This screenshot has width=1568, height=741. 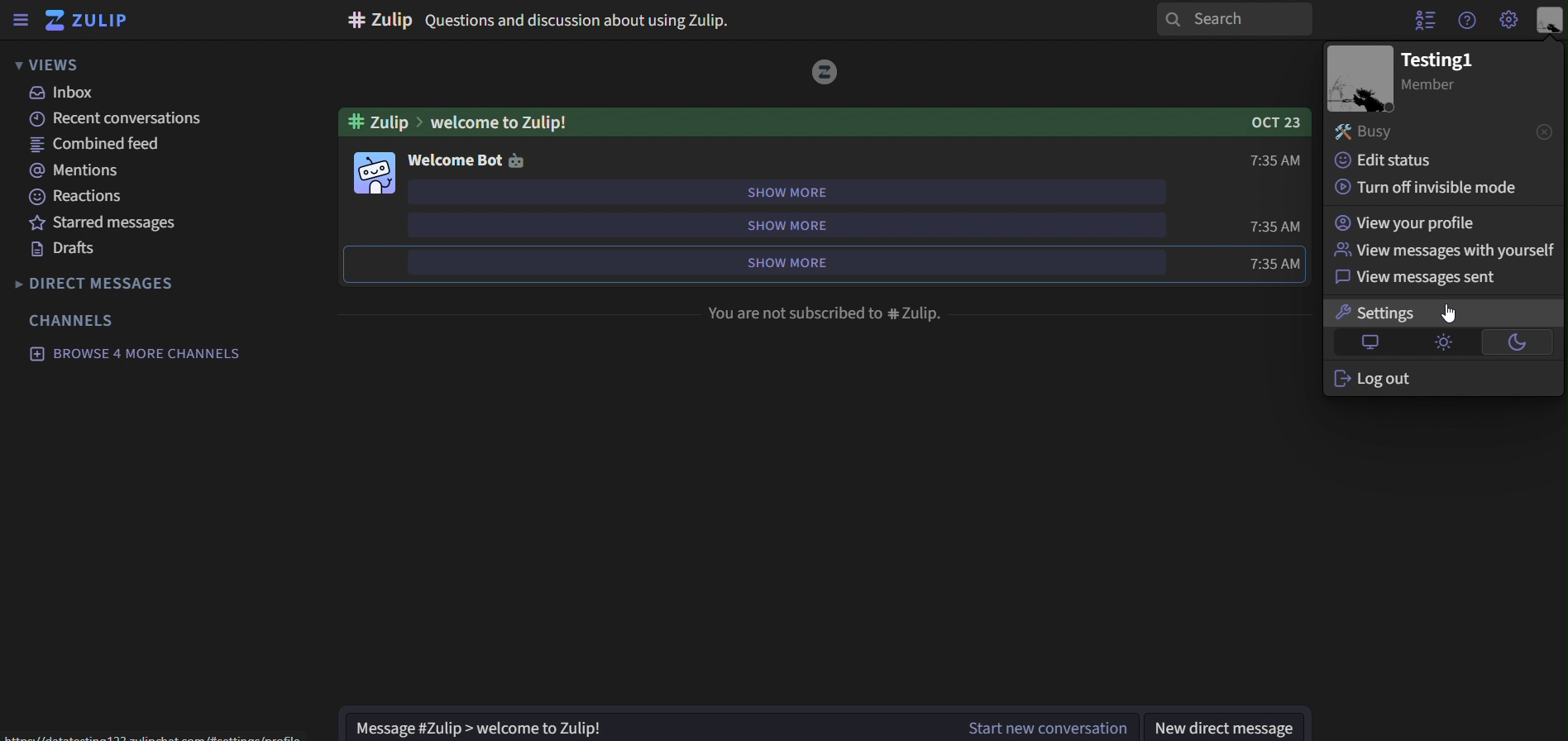 I want to click on 7:35am, so click(x=1276, y=264).